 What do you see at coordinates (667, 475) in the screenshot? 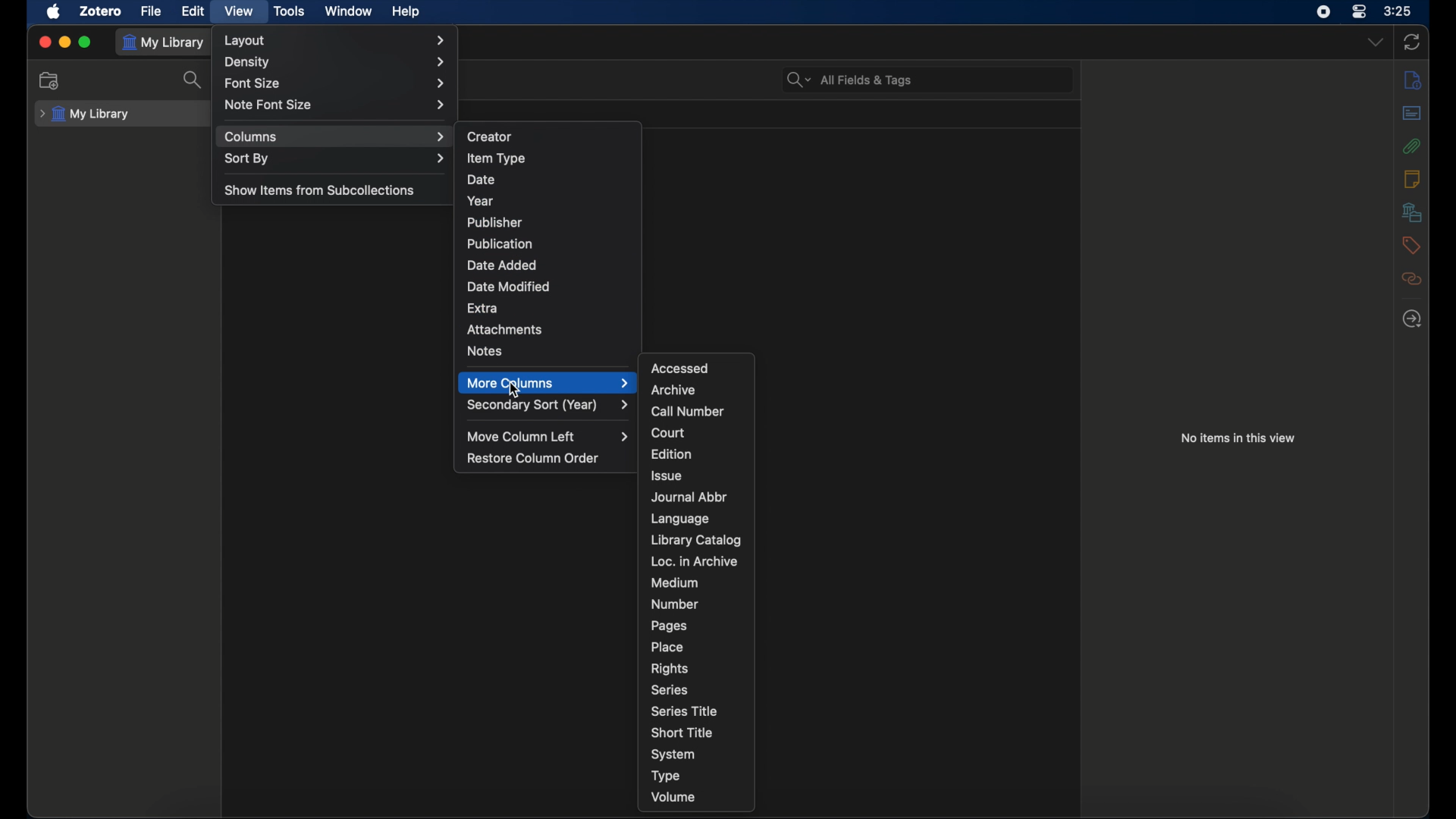
I see `issue` at bounding box center [667, 475].